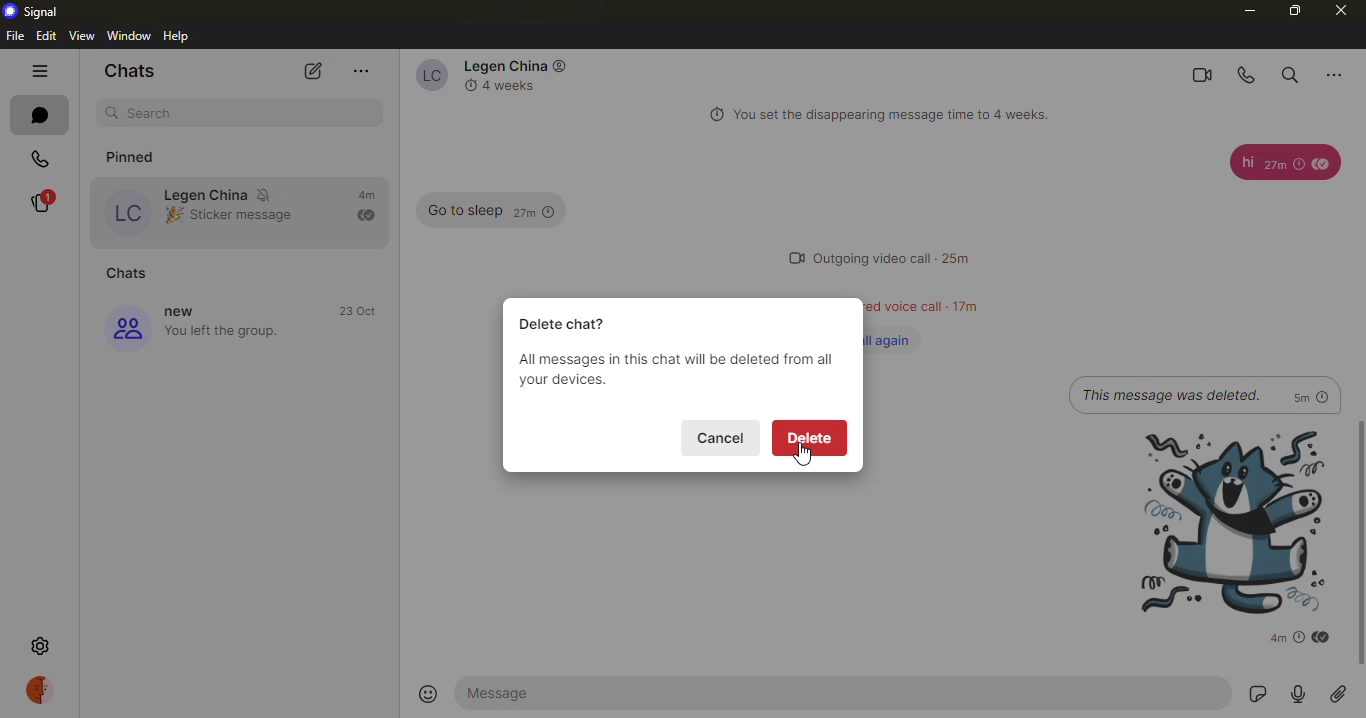 The height and width of the screenshot is (718, 1366). I want to click on record, so click(1299, 694).